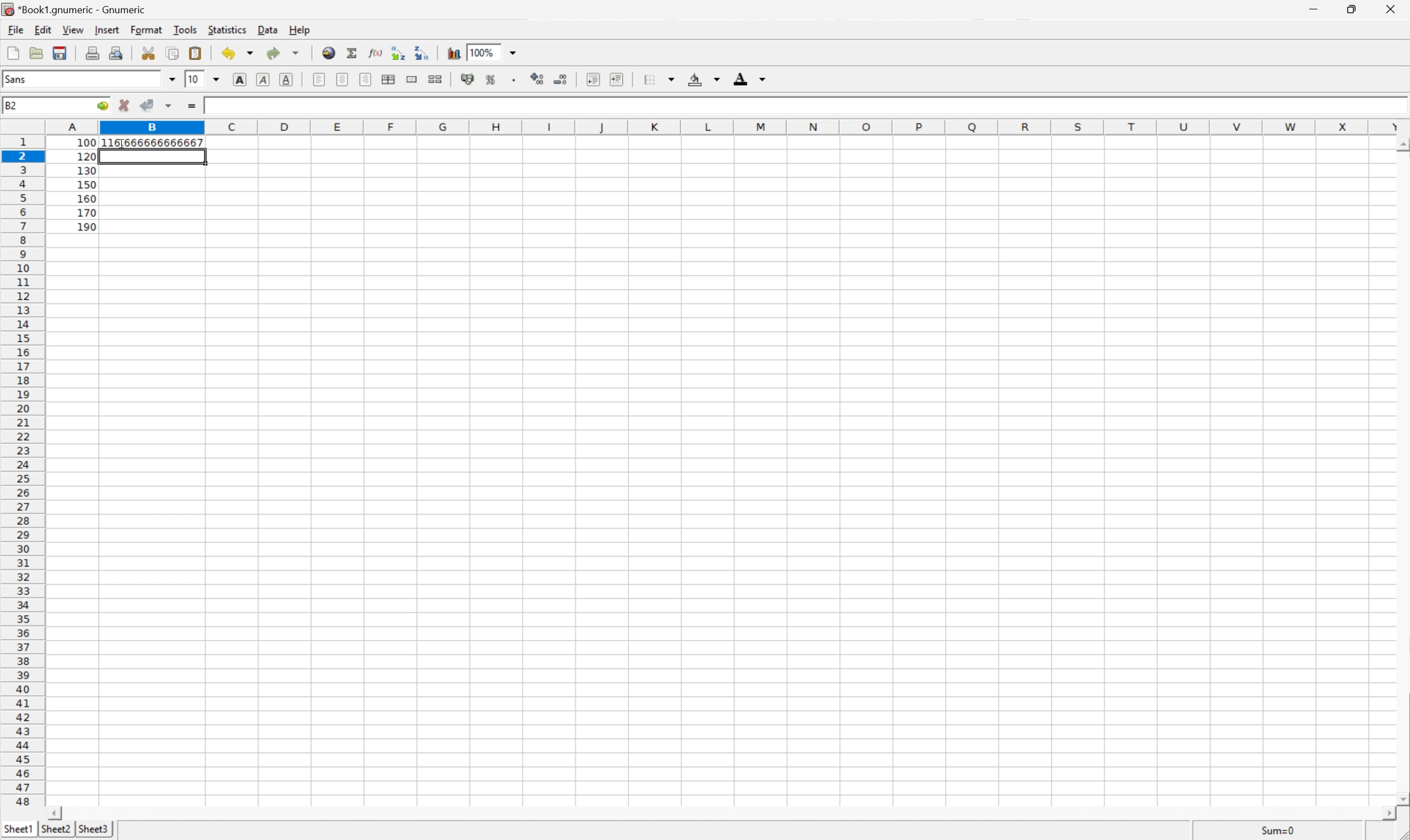 This screenshot has width=1410, height=840. I want to click on Decrease the number of decimals displayed, so click(562, 80).